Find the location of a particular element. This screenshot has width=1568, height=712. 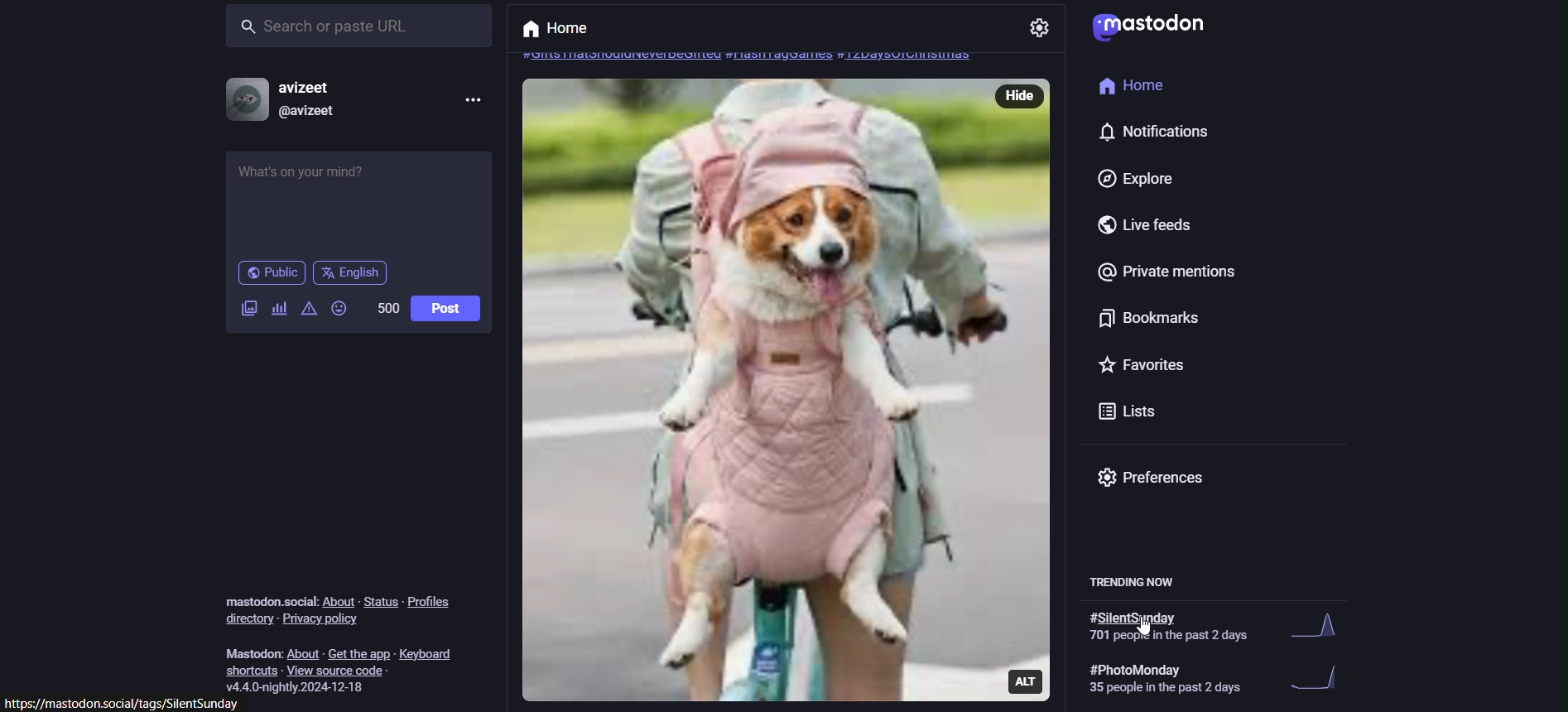

profile picture is located at coordinates (247, 99).